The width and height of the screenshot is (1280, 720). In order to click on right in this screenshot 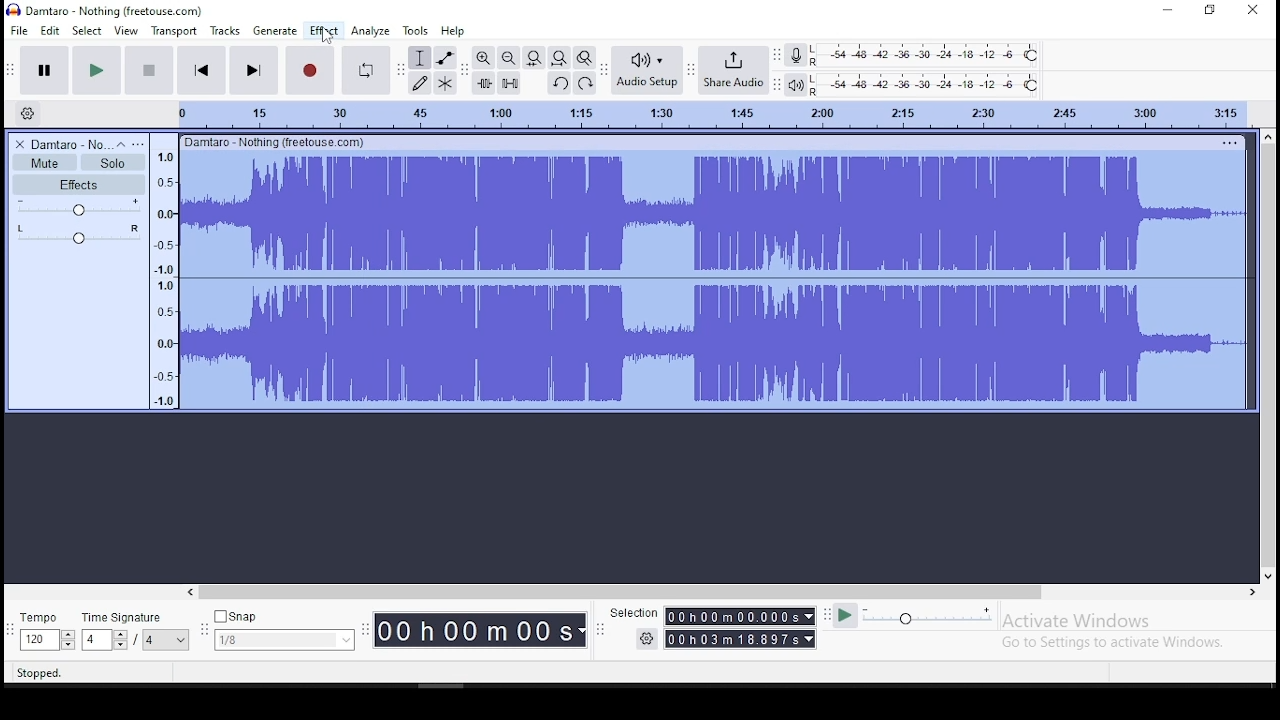, I will do `click(1252, 591)`.